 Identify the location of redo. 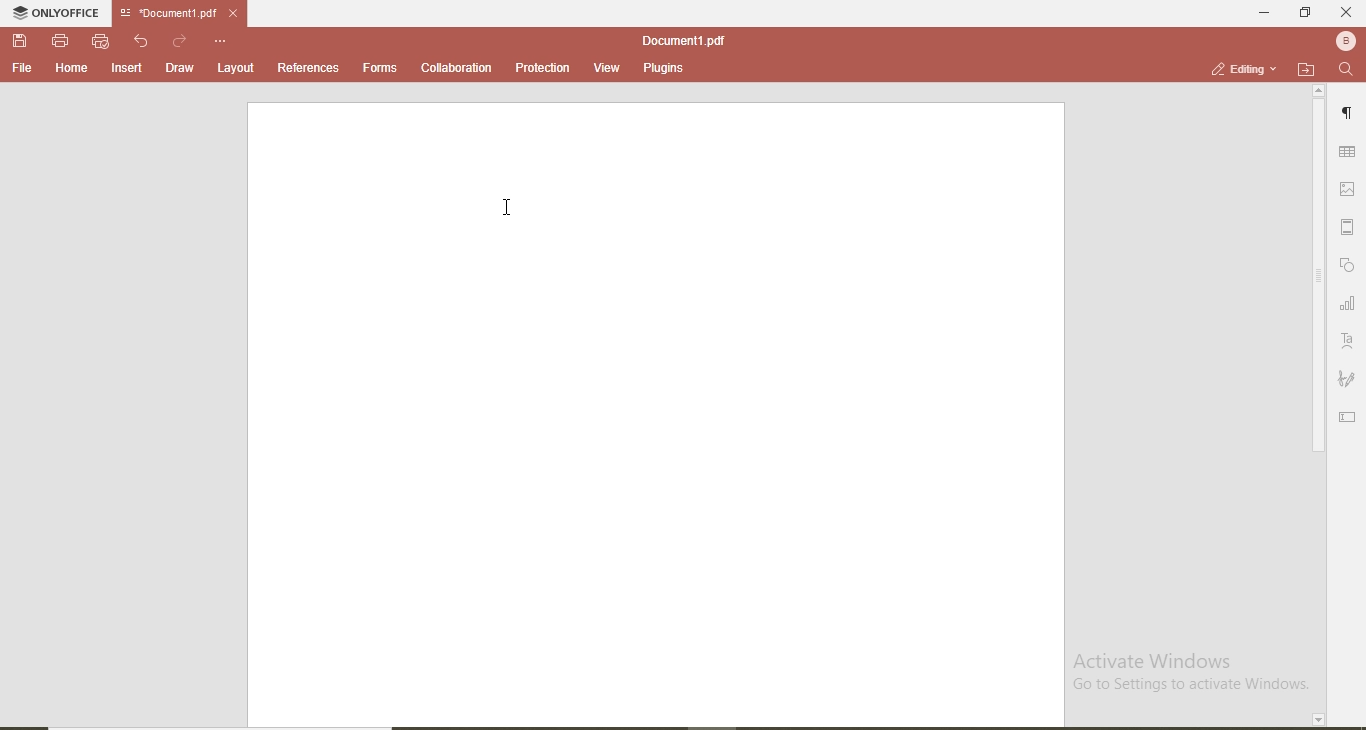
(178, 37).